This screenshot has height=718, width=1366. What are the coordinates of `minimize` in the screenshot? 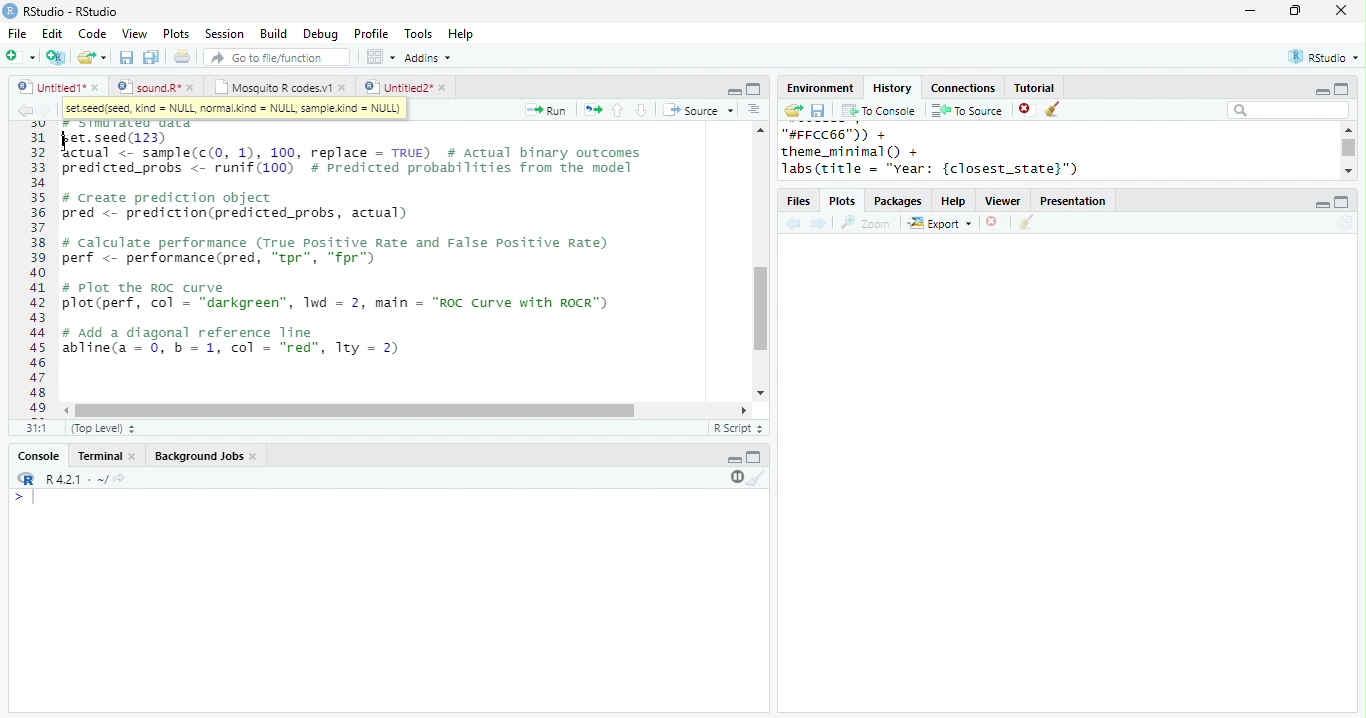 It's located at (1321, 205).